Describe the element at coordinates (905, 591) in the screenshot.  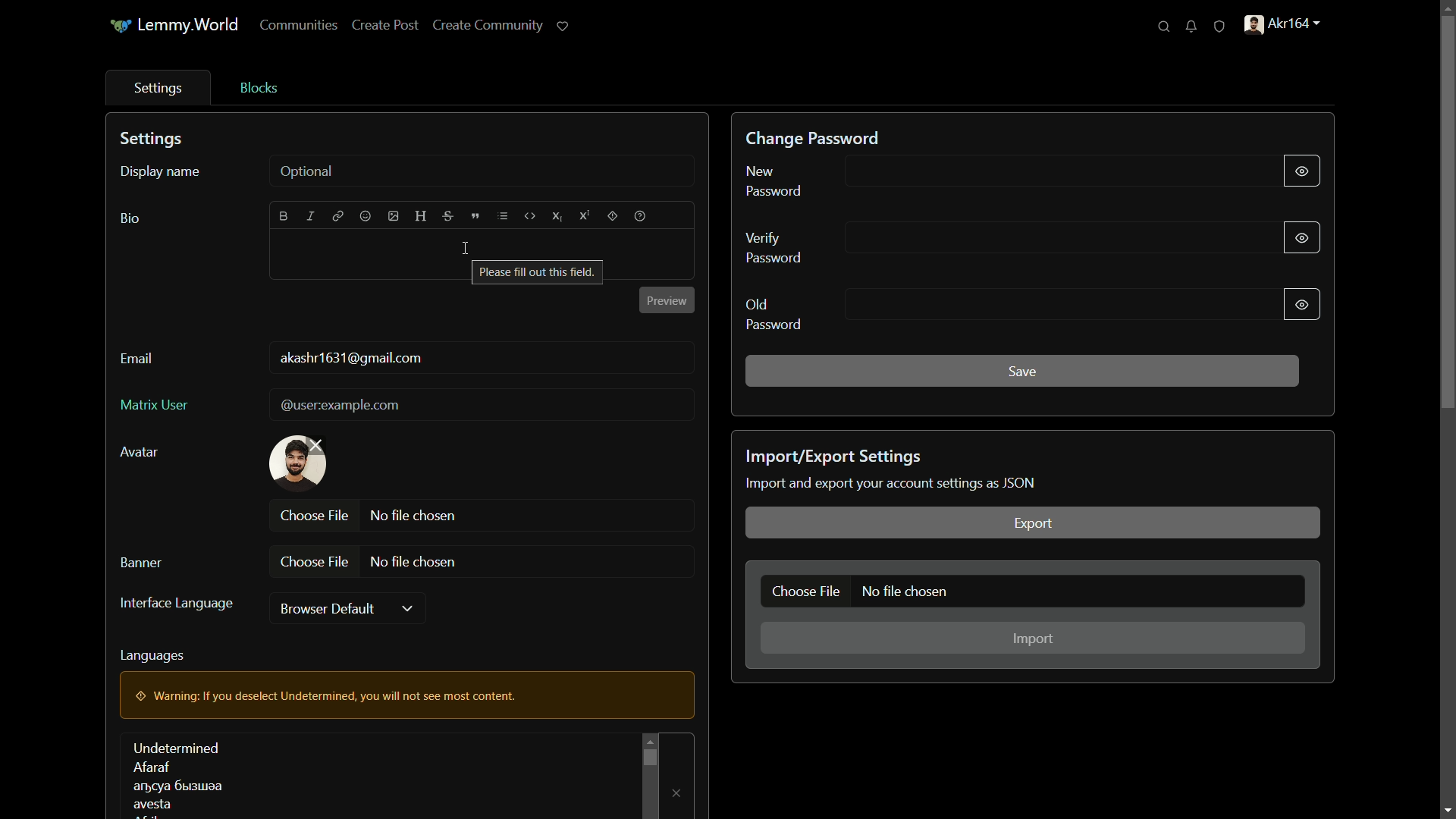
I see `no file chosen` at that location.